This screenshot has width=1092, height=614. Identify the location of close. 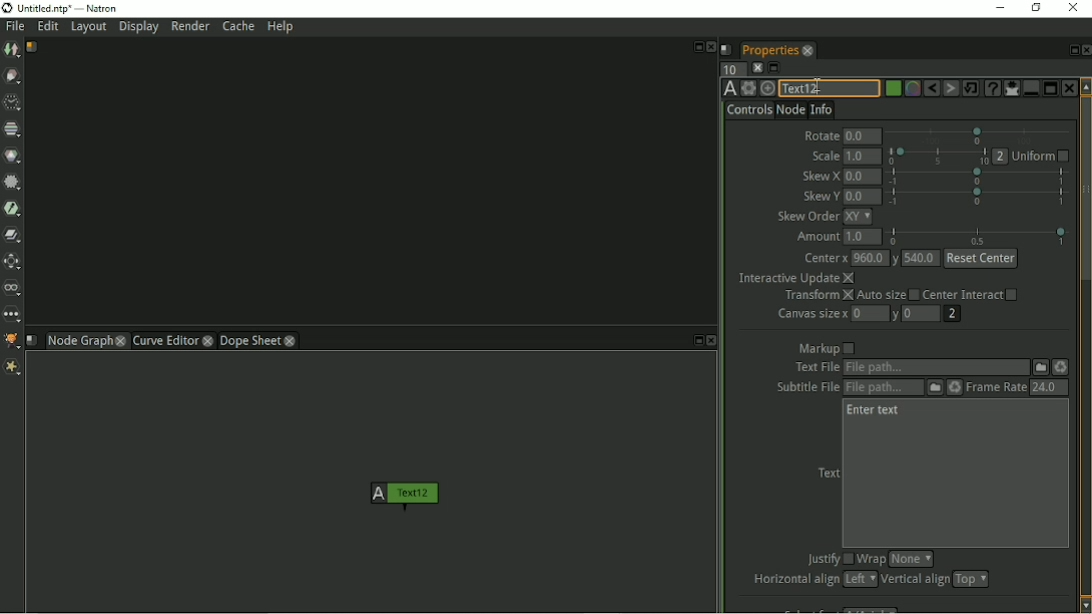
(808, 50).